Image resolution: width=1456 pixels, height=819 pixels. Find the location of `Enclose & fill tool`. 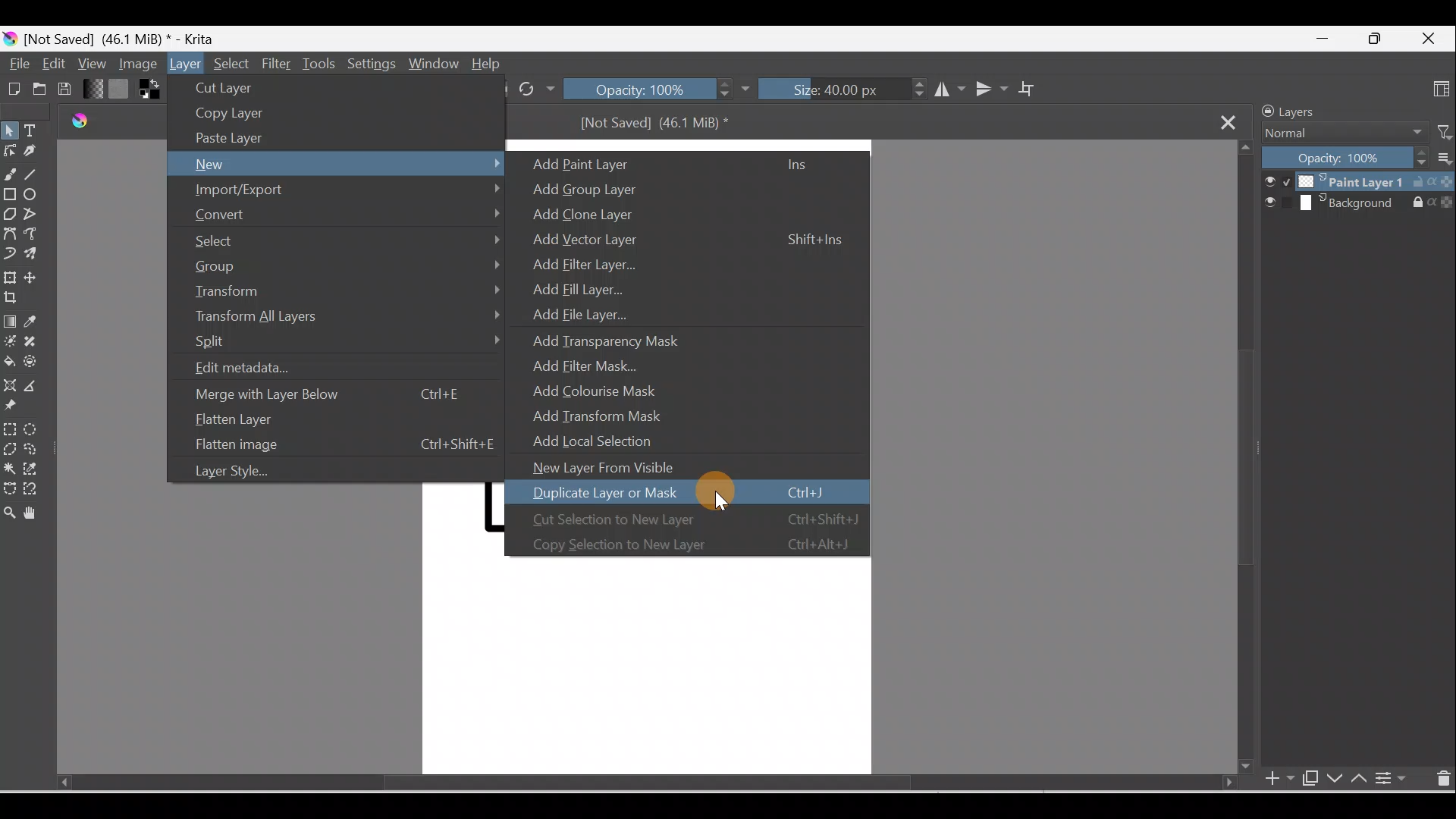

Enclose & fill tool is located at coordinates (35, 365).